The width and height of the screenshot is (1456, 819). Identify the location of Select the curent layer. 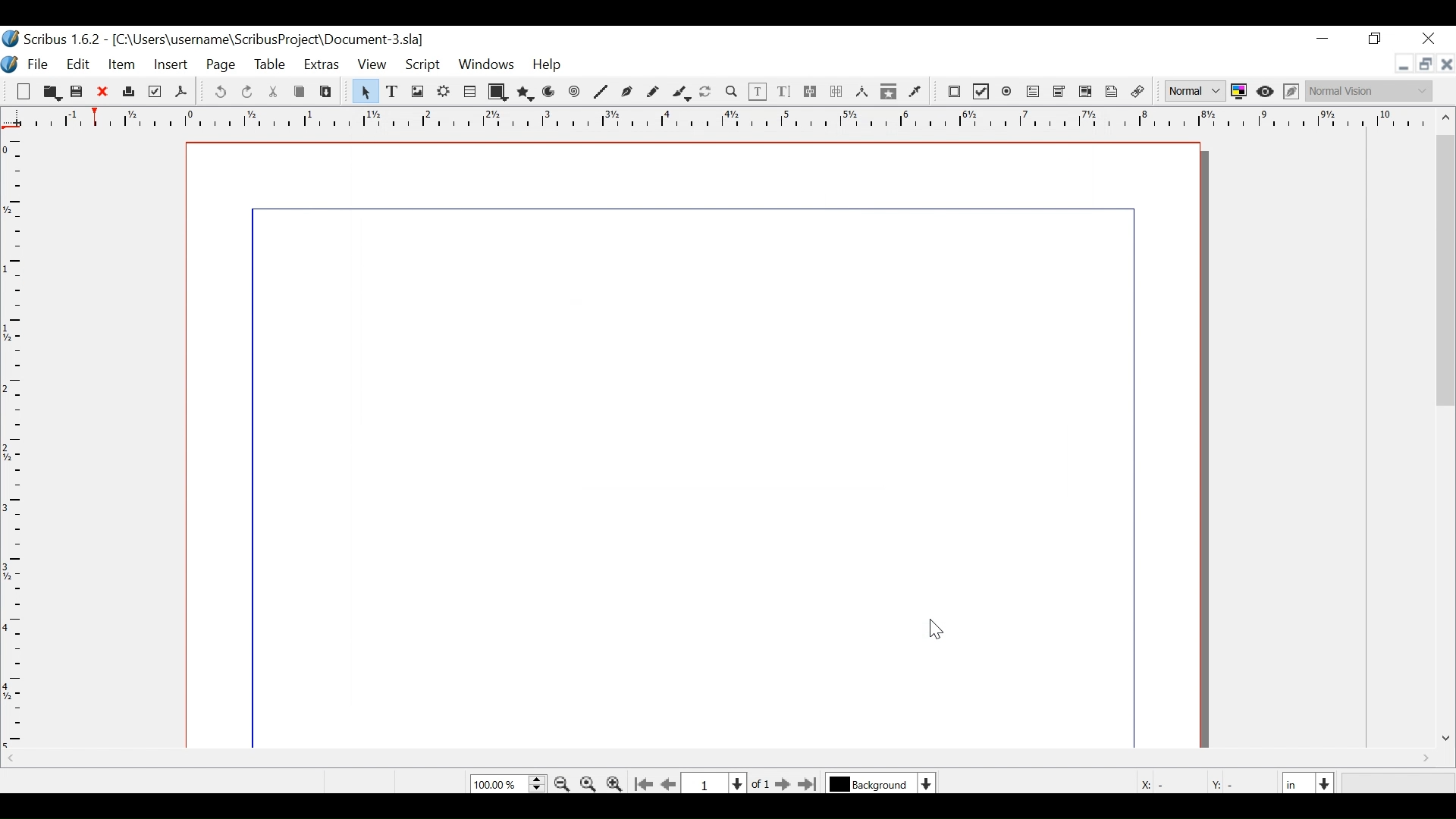
(872, 783).